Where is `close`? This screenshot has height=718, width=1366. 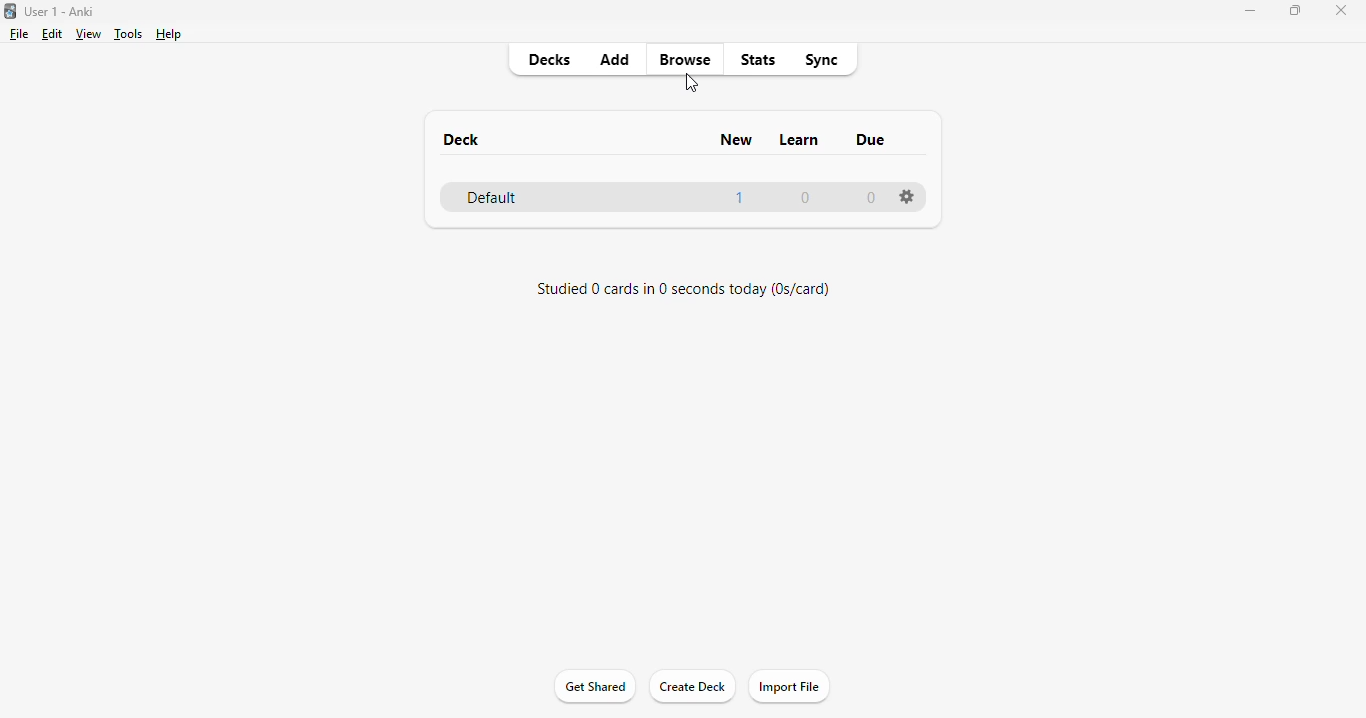
close is located at coordinates (1341, 10).